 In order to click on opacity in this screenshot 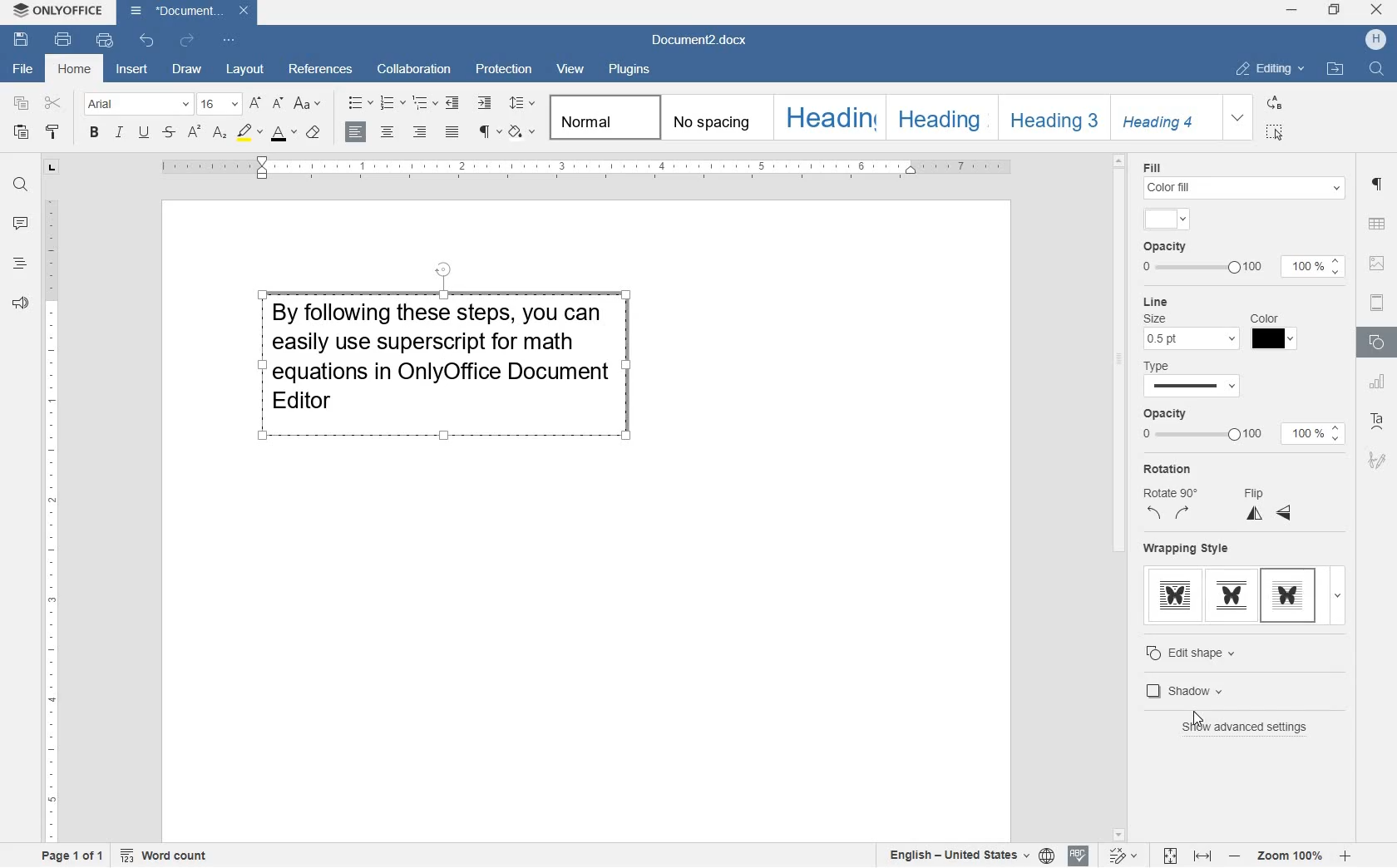, I will do `click(1199, 426)`.